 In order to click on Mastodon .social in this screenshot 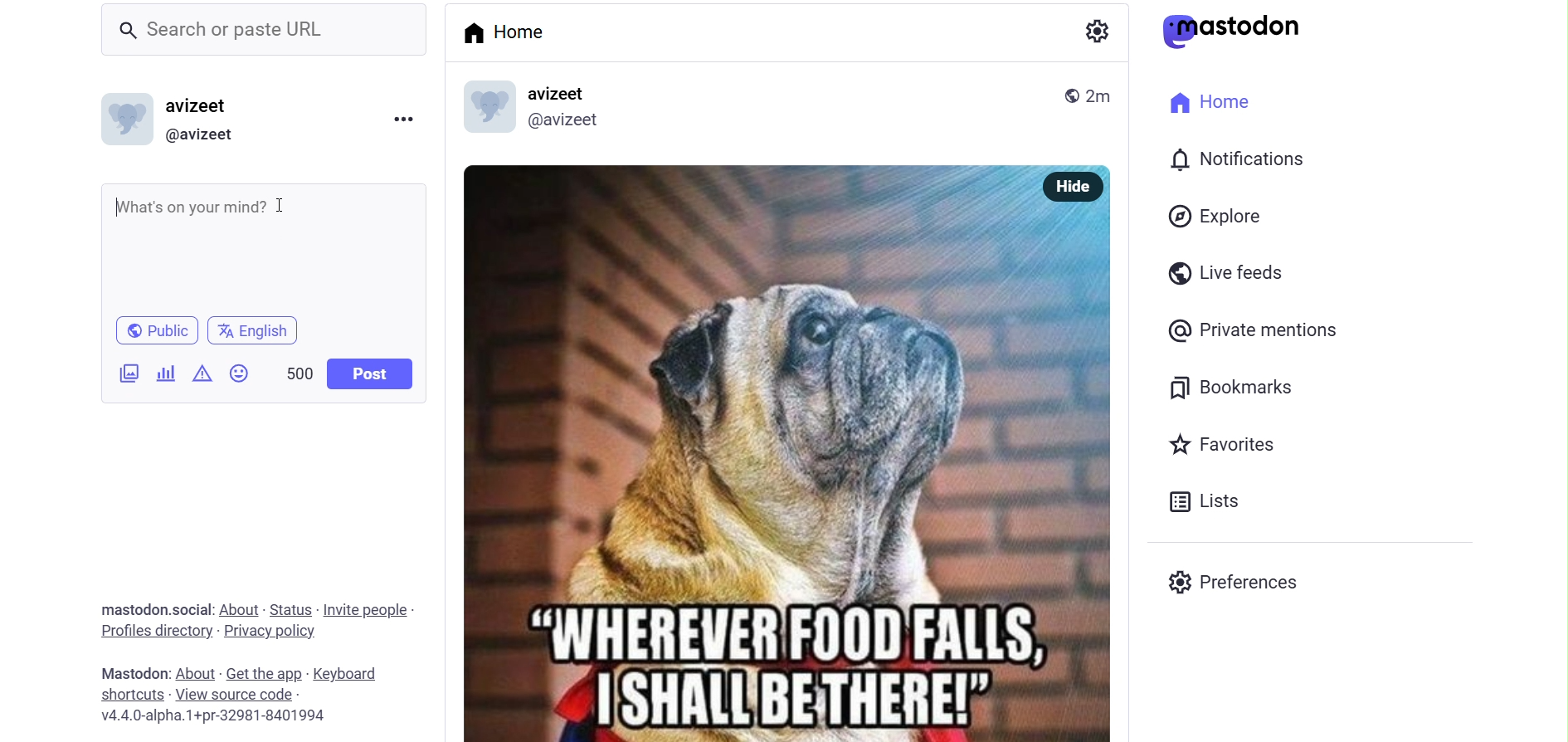, I will do `click(131, 609)`.